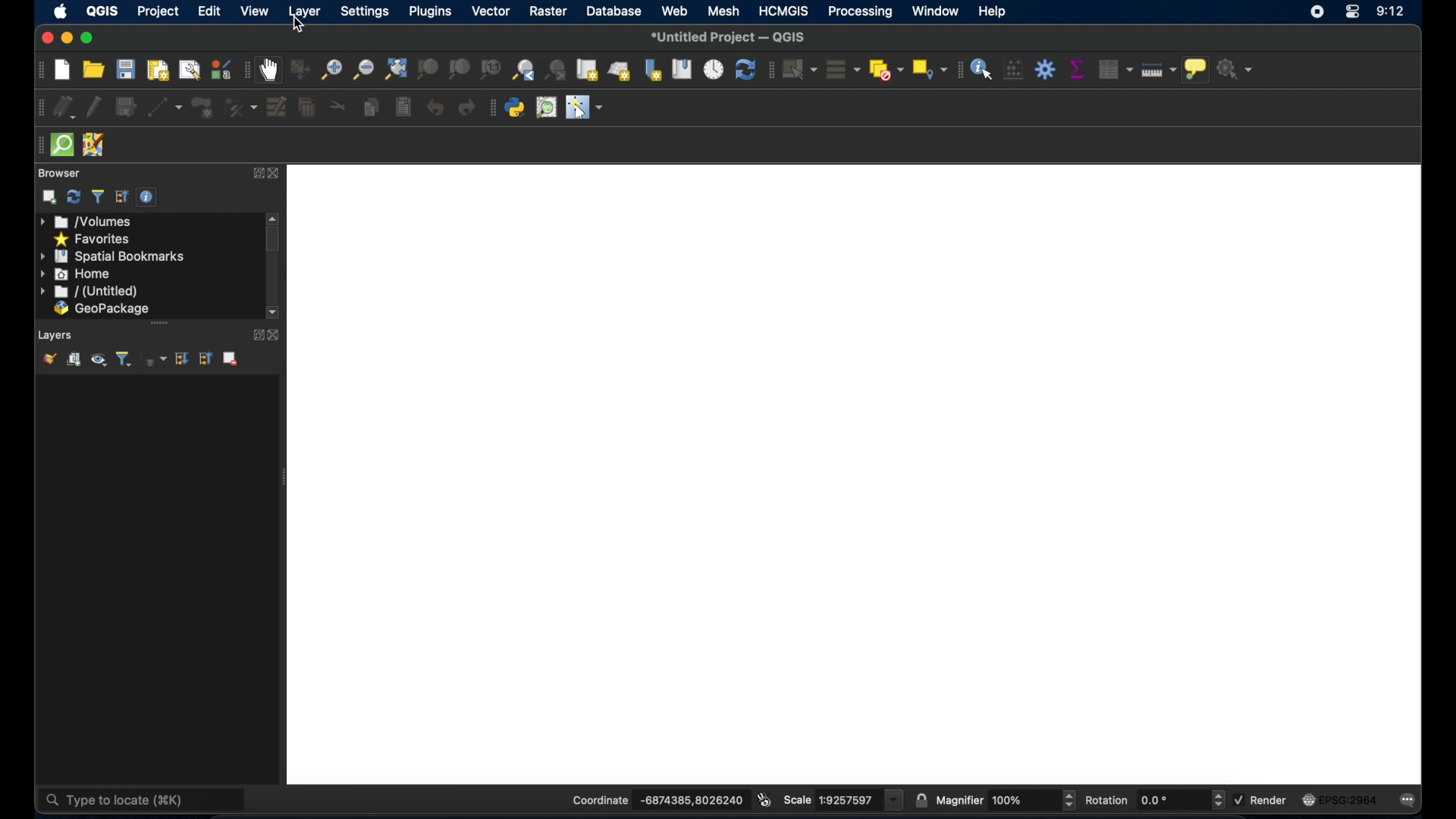 The image size is (1456, 819). I want to click on filter legend by expression, so click(158, 361).